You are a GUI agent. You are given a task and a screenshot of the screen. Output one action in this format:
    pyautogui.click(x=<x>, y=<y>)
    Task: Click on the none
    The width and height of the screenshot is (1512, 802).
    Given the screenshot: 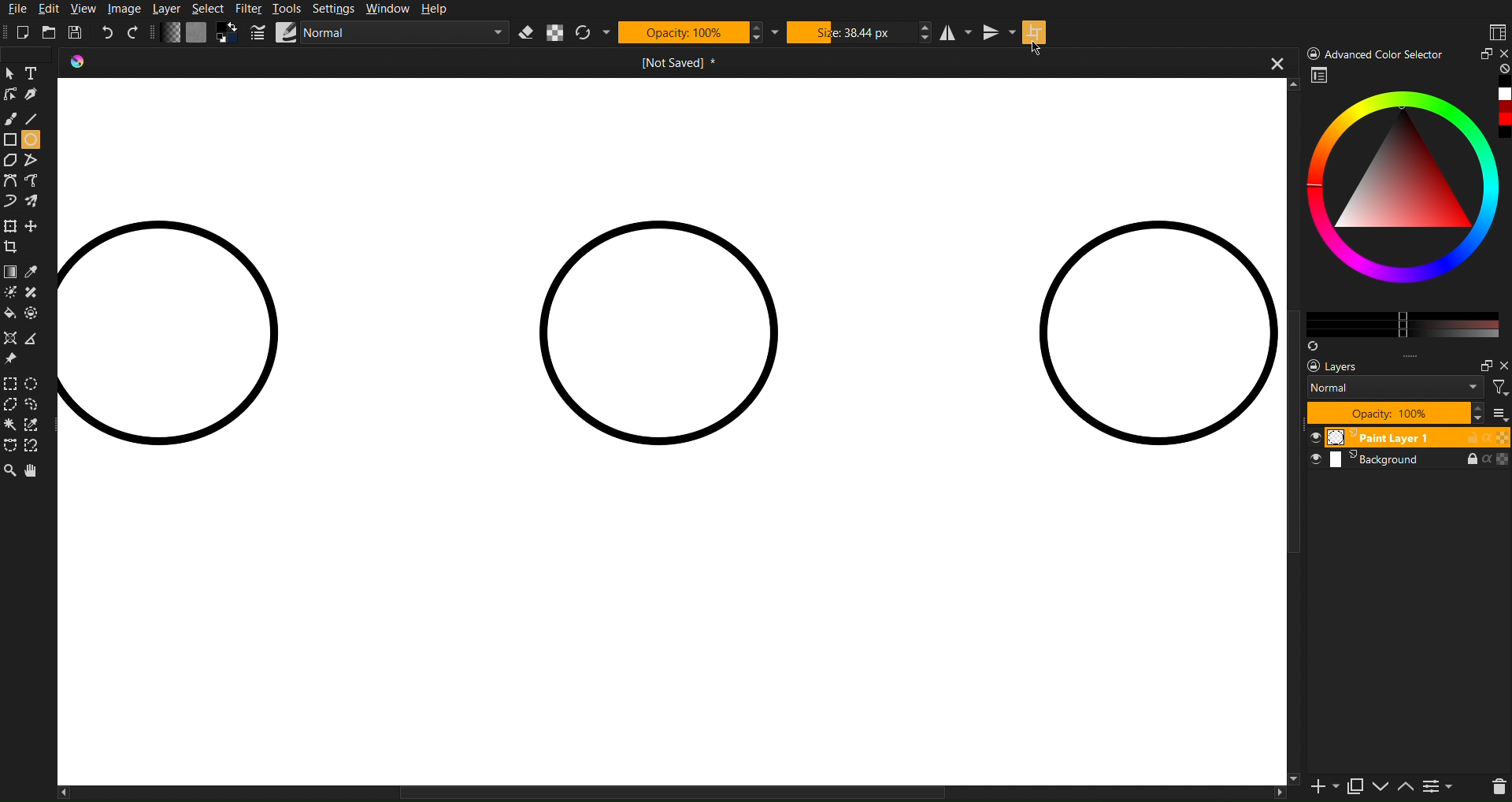 What is the action you would take?
    pyautogui.click(x=1501, y=69)
    